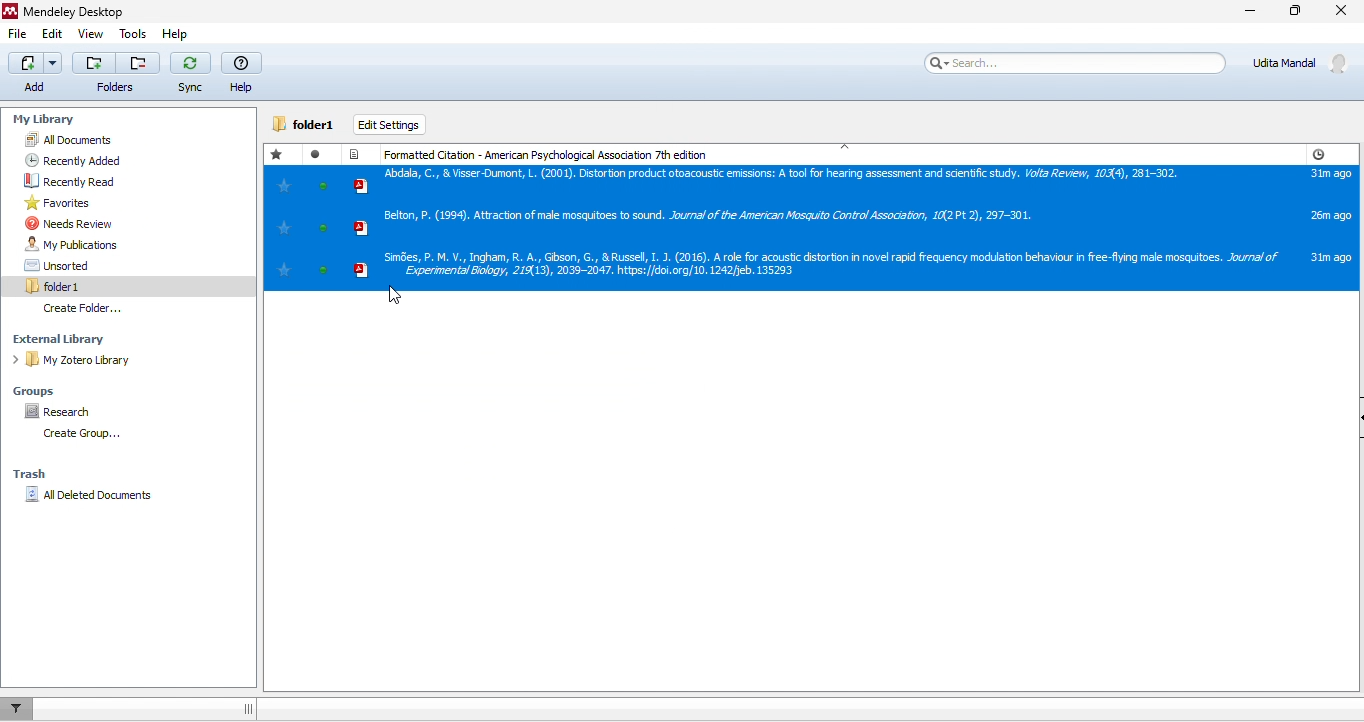 Image resolution: width=1364 pixels, height=722 pixels. What do you see at coordinates (78, 265) in the screenshot?
I see `unsorted` at bounding box center [78, 265].